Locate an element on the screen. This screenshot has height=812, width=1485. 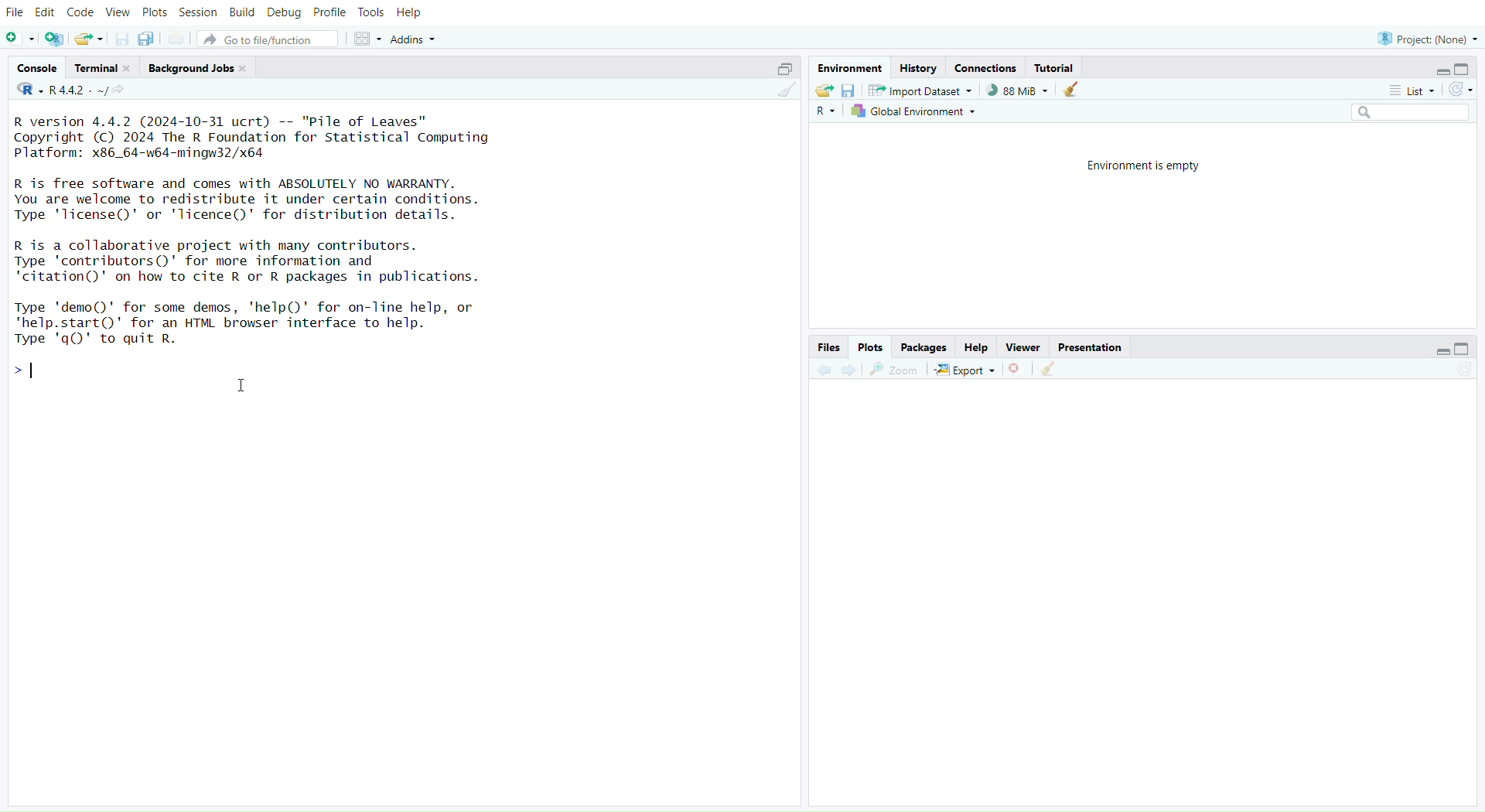
clear all plot is located at coordinates (1050, 370).